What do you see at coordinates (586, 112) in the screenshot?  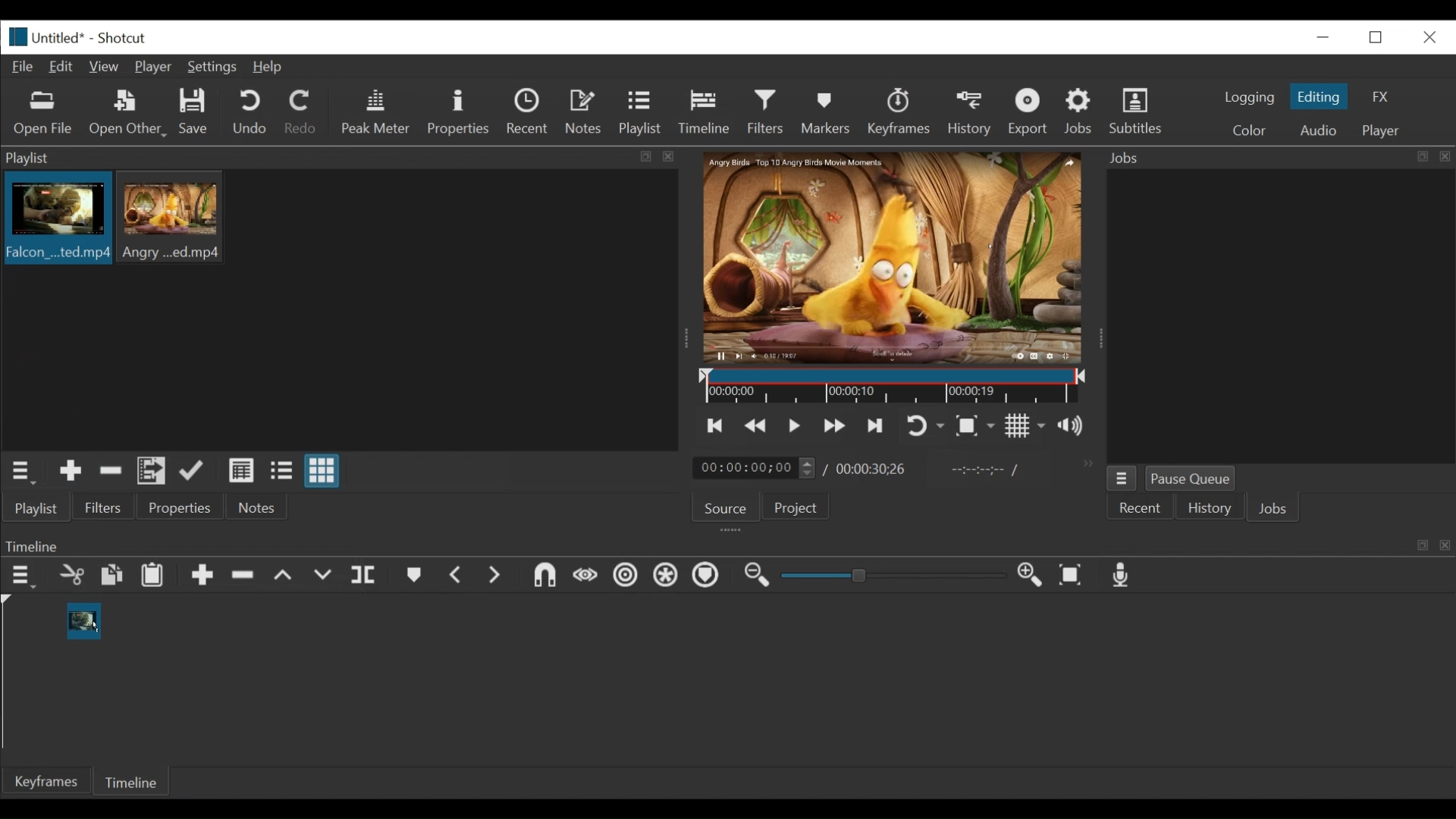 I see `Notes` at bounding box center [586, 112].